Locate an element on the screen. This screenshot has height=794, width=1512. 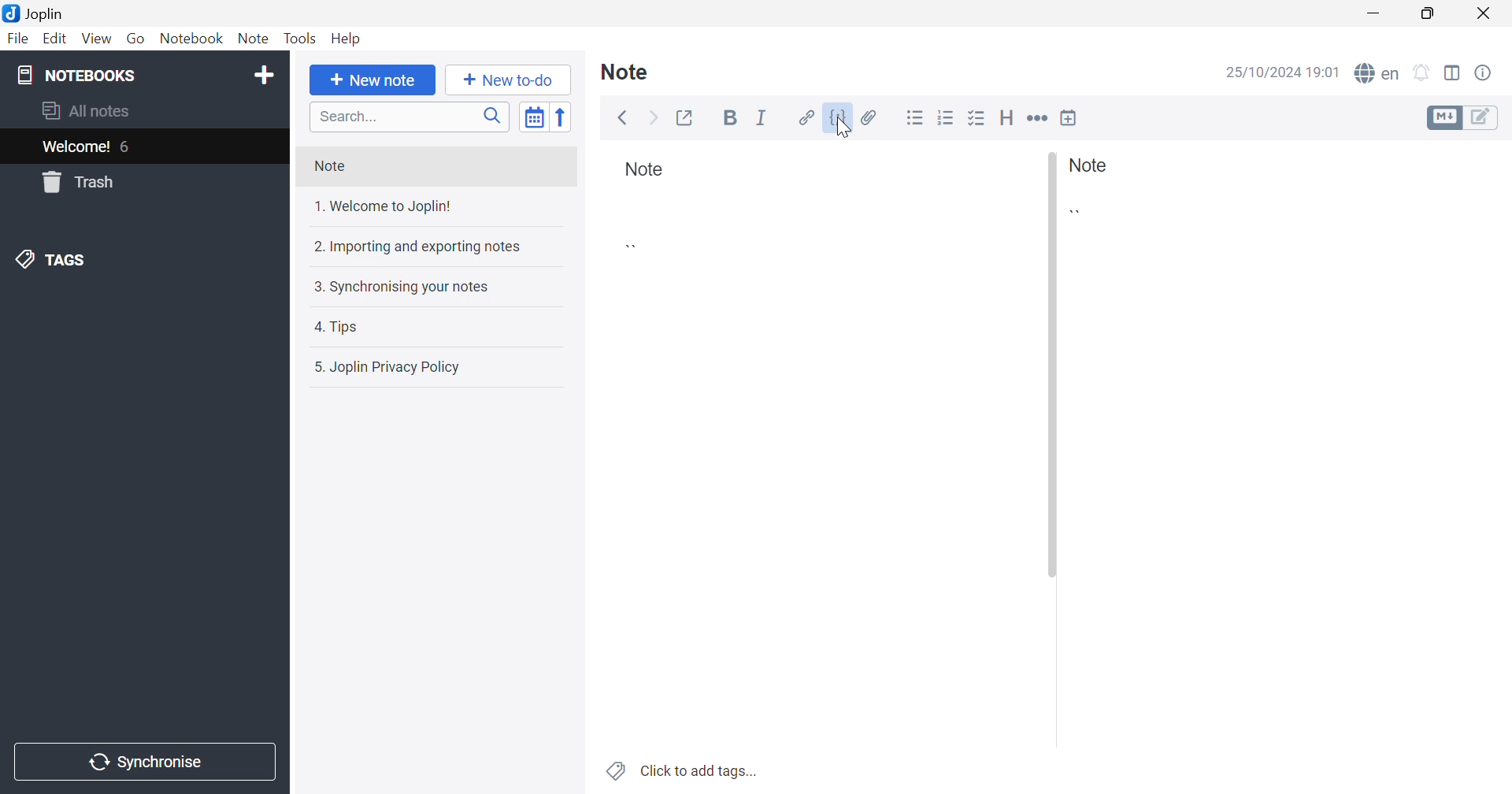
6 is located at coordinates (130, 149).